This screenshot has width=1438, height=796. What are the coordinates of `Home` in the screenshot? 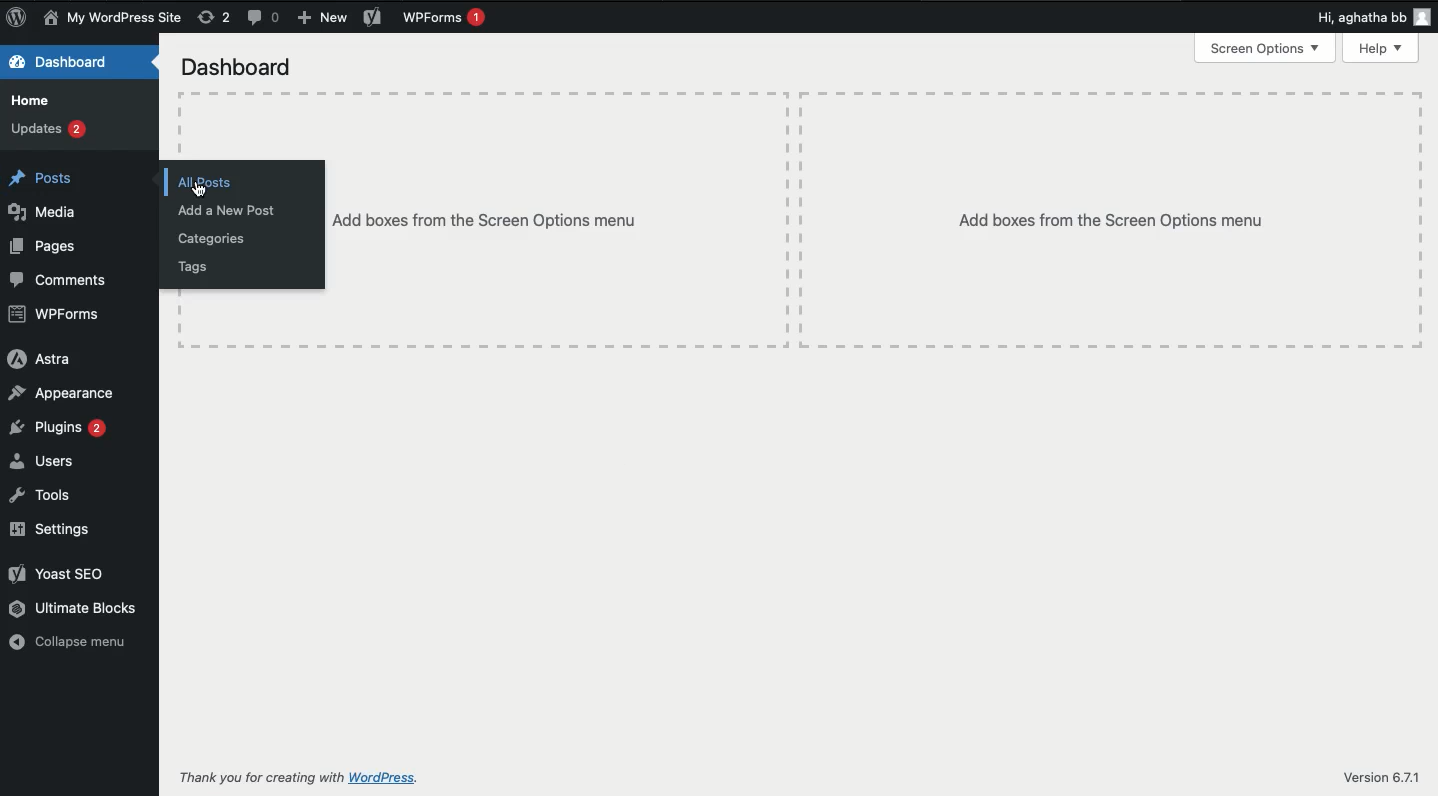 It's located at (36, 101).